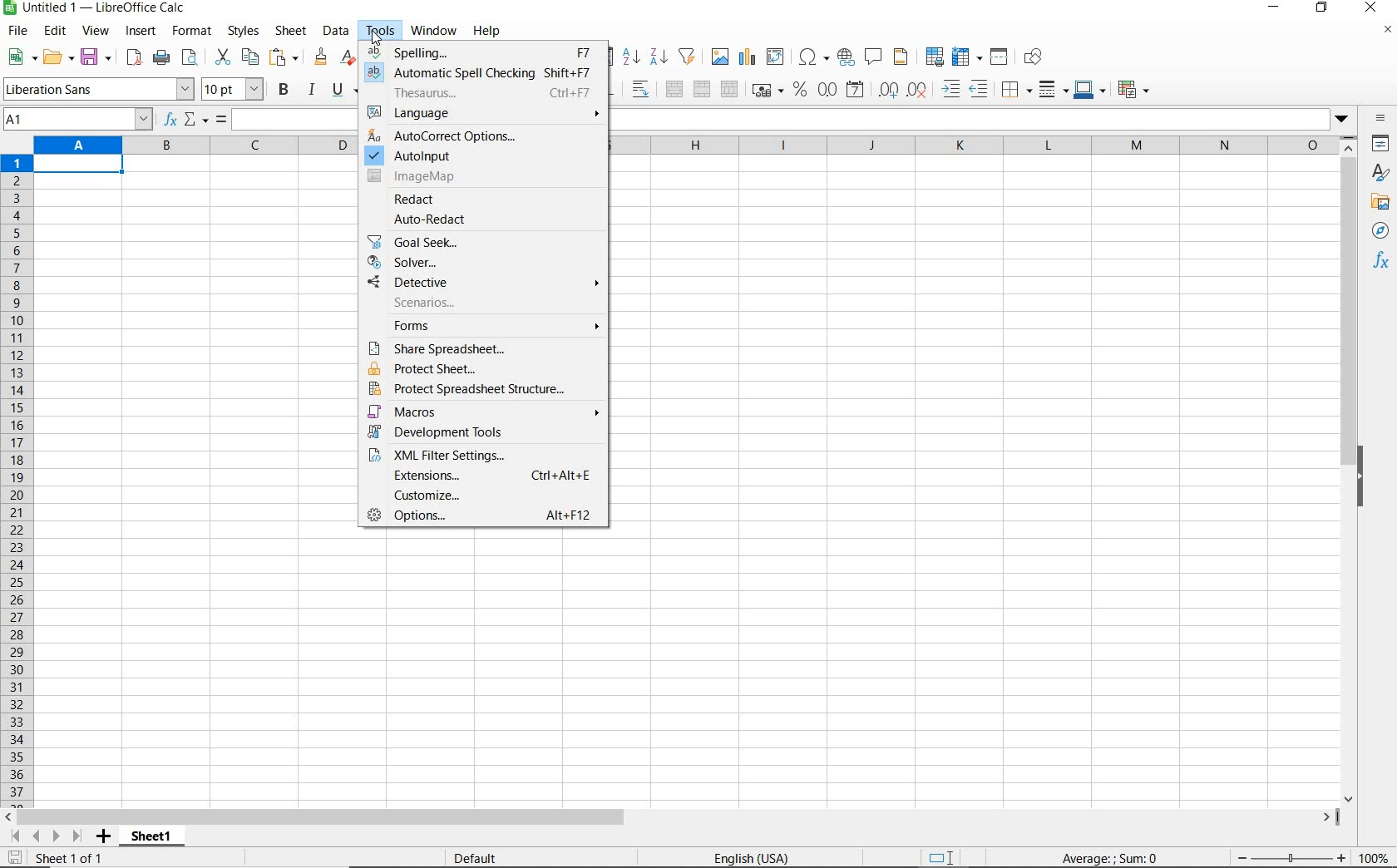  Describe the element at coordinates (169, 121) in the screenshot. I see `FUNCTION WIZARD` at that location.